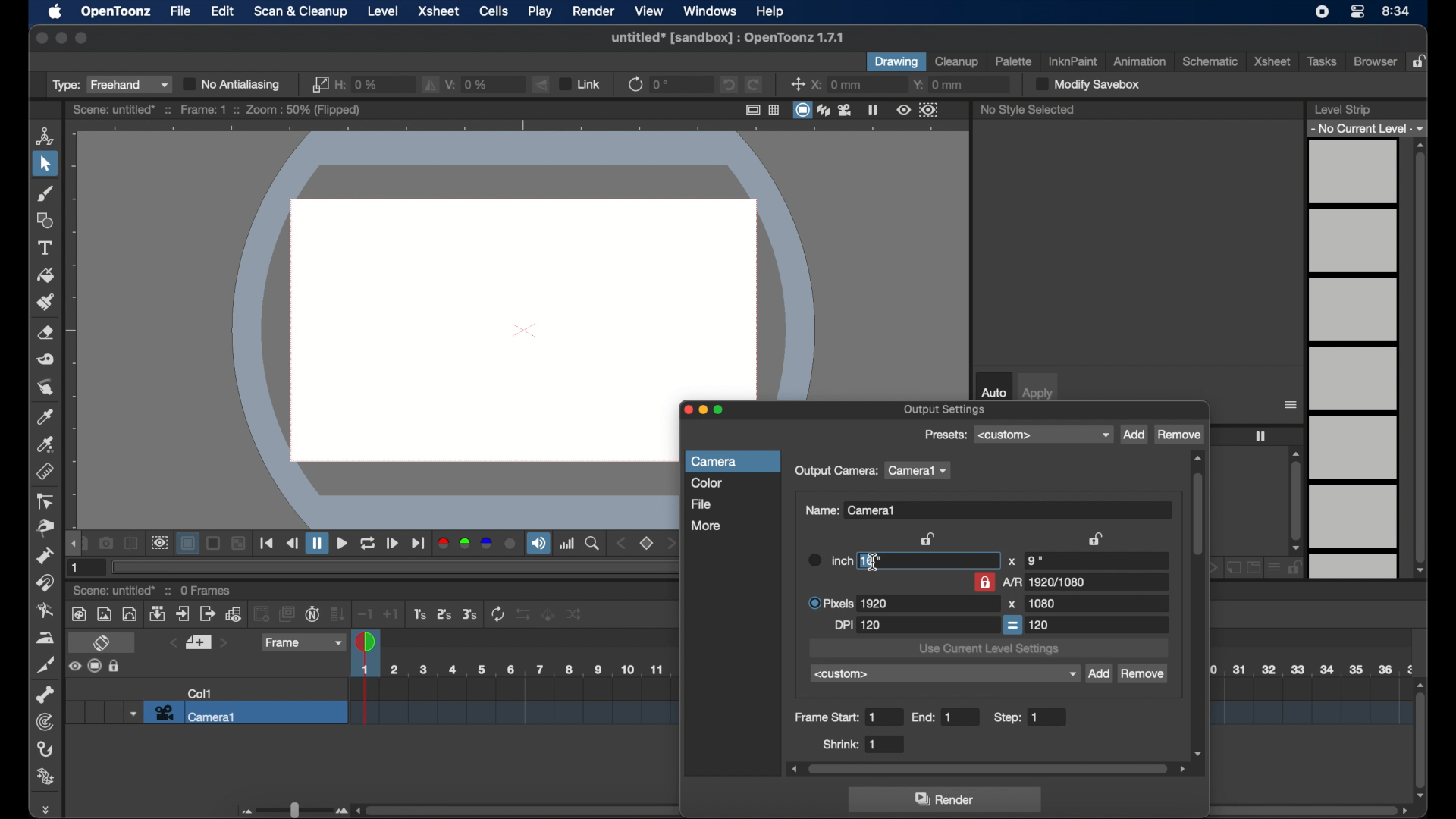 This screenshot has width=1456, height=819. What do you see at coordinates (648, 544) in the screenshot?
I see `set` at bounding box center [648, 544].